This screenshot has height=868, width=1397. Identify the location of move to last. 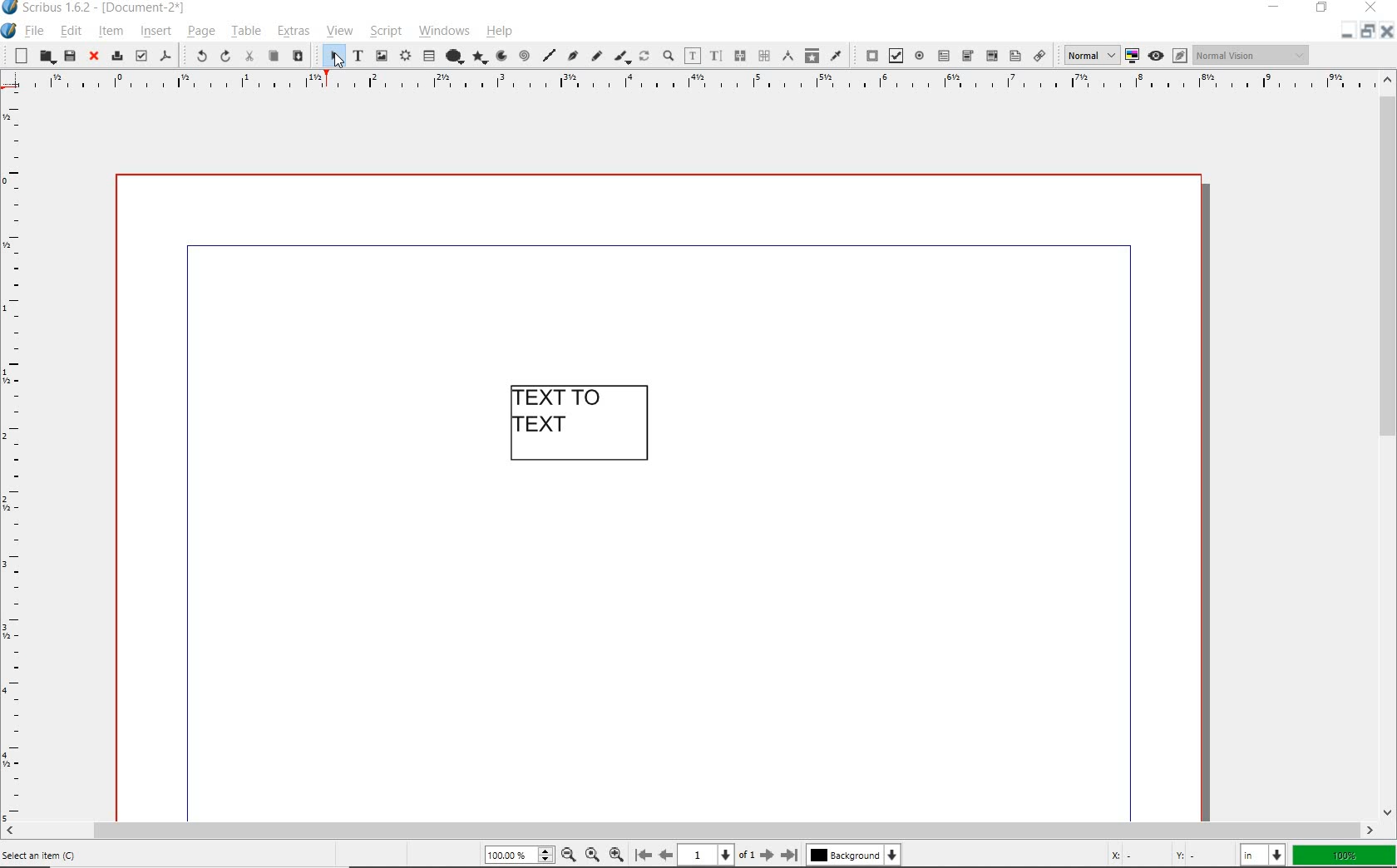
(792, 856).